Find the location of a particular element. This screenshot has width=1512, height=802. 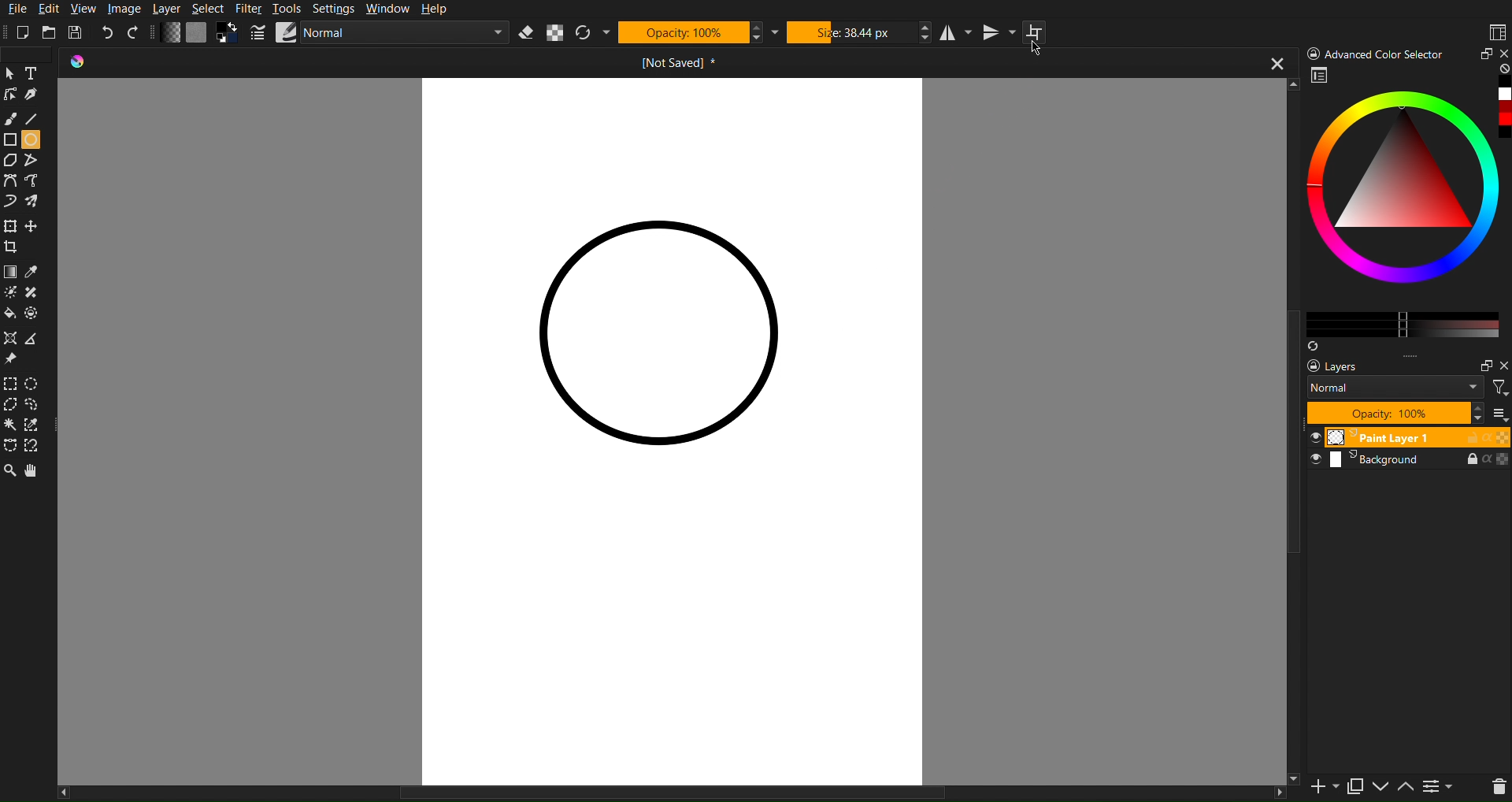

Select is located at coordinates (208, 9).